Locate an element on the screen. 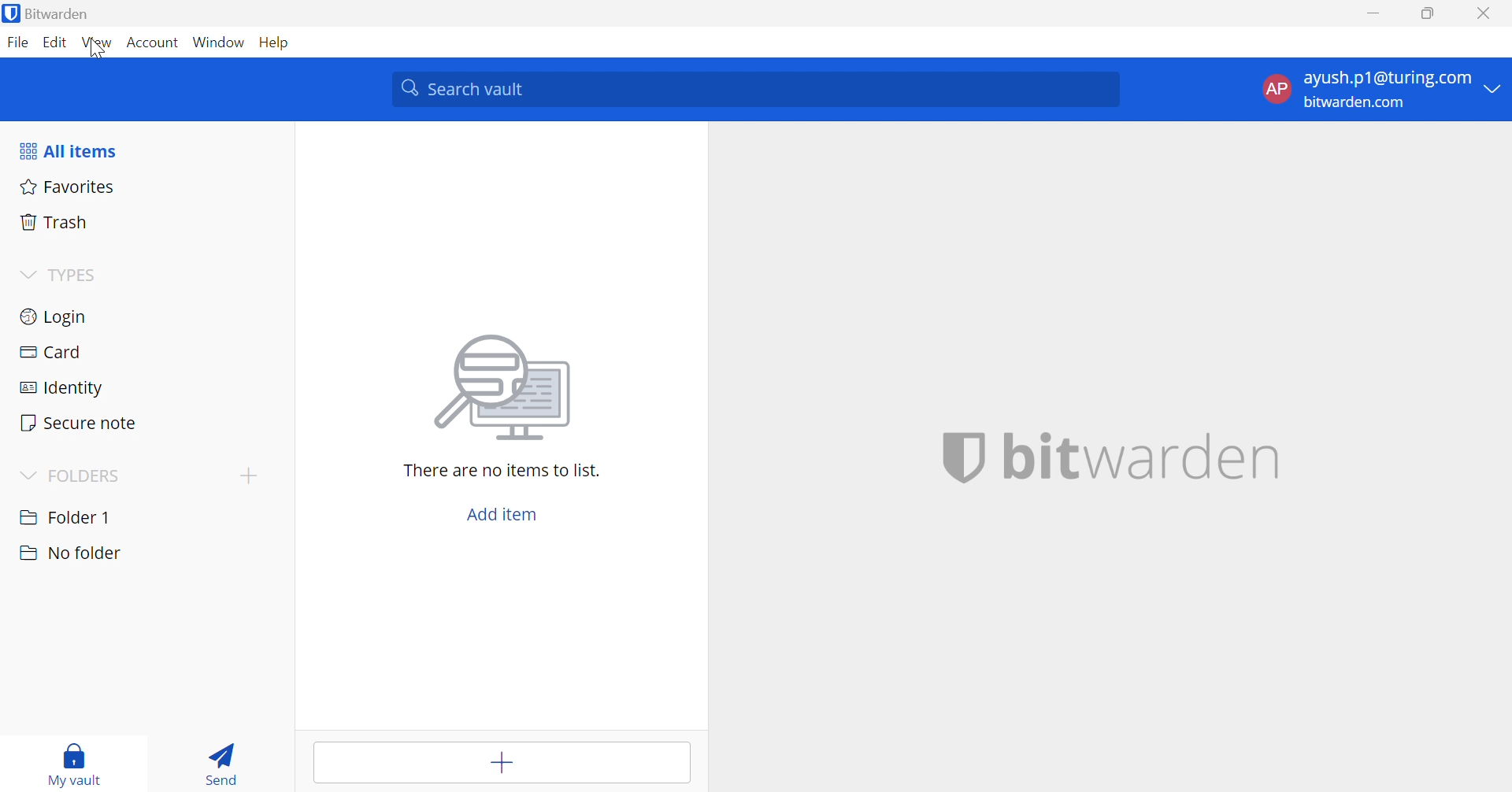  Identity is located at coordinates (62, 389).